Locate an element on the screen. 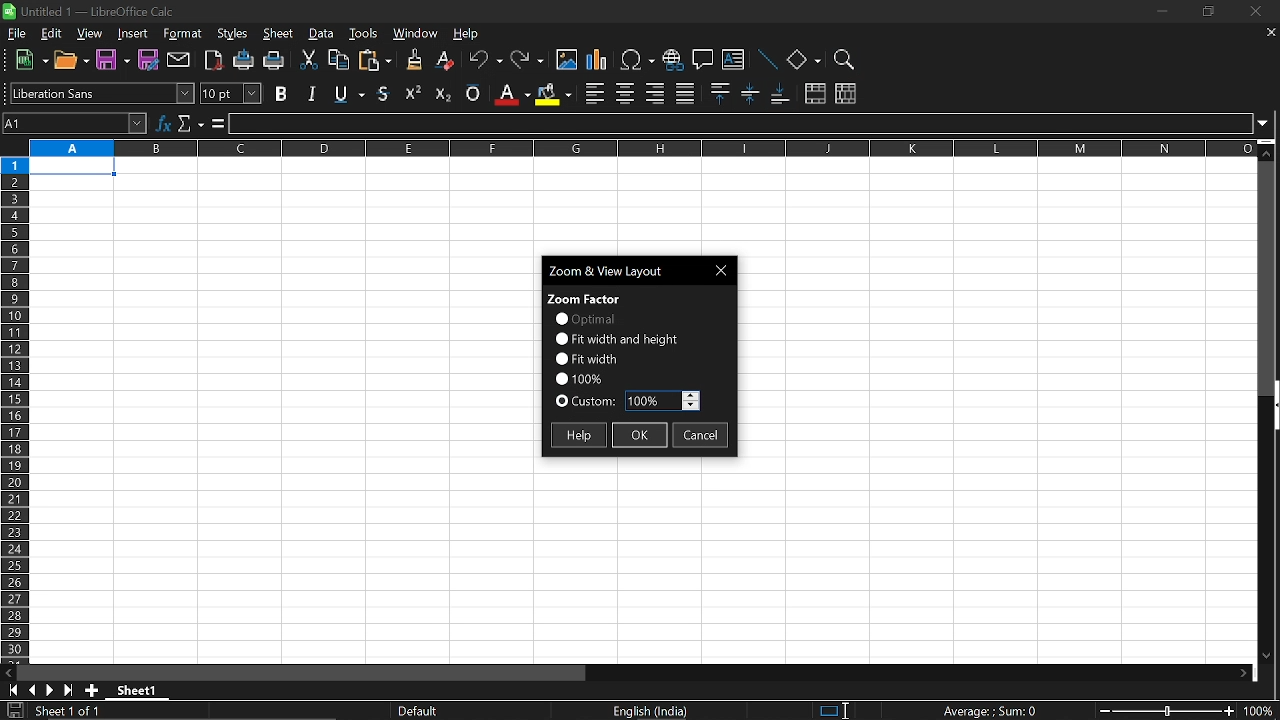 Image resolution: width=1280 pixels, height=720 pixels. shapes is located at coordinates (803, 61).